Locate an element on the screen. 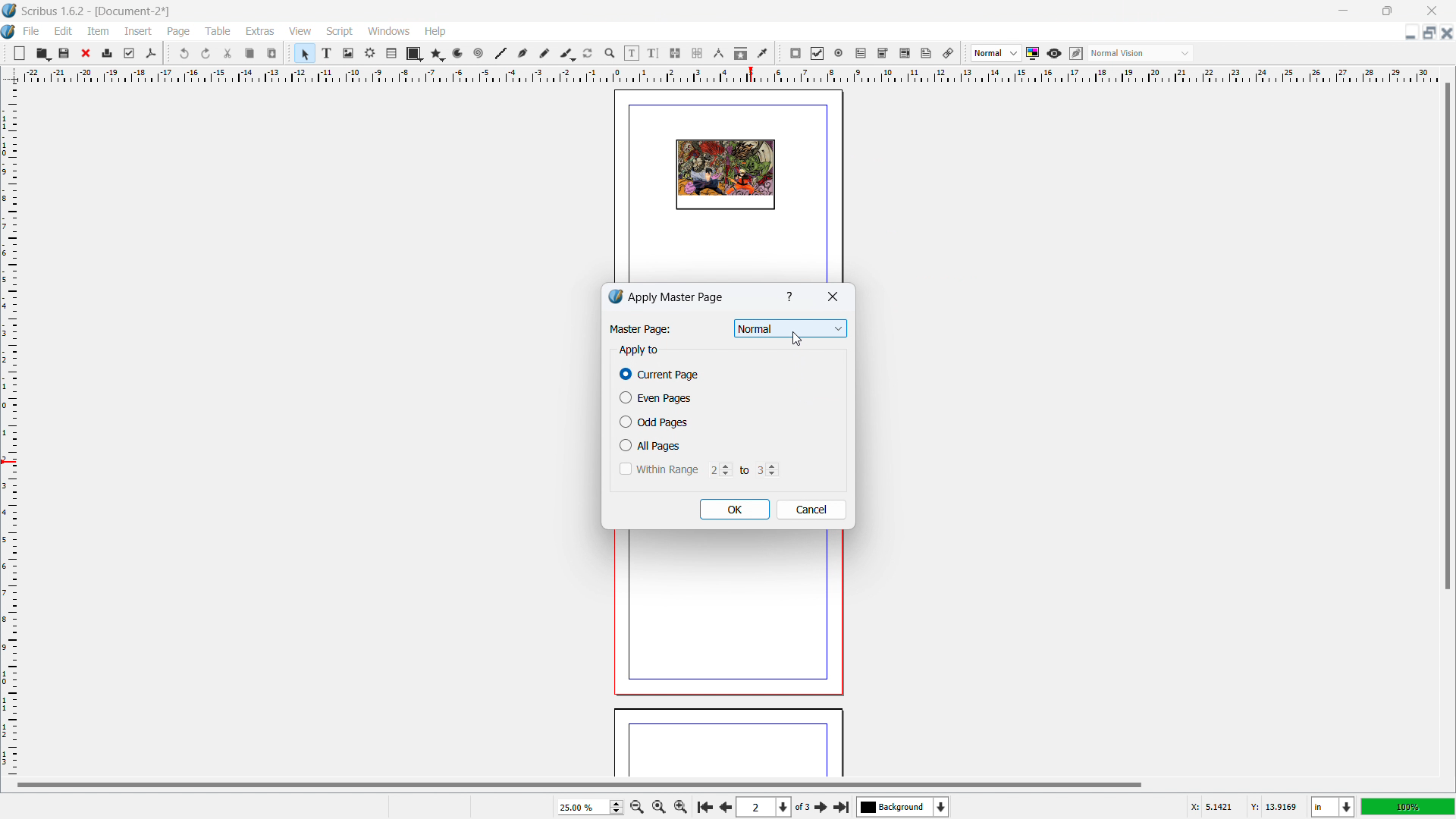 This screenshot has height=819, width=1456. zoom out by the stepping value in tool preference is located at coordinates (636, 806).